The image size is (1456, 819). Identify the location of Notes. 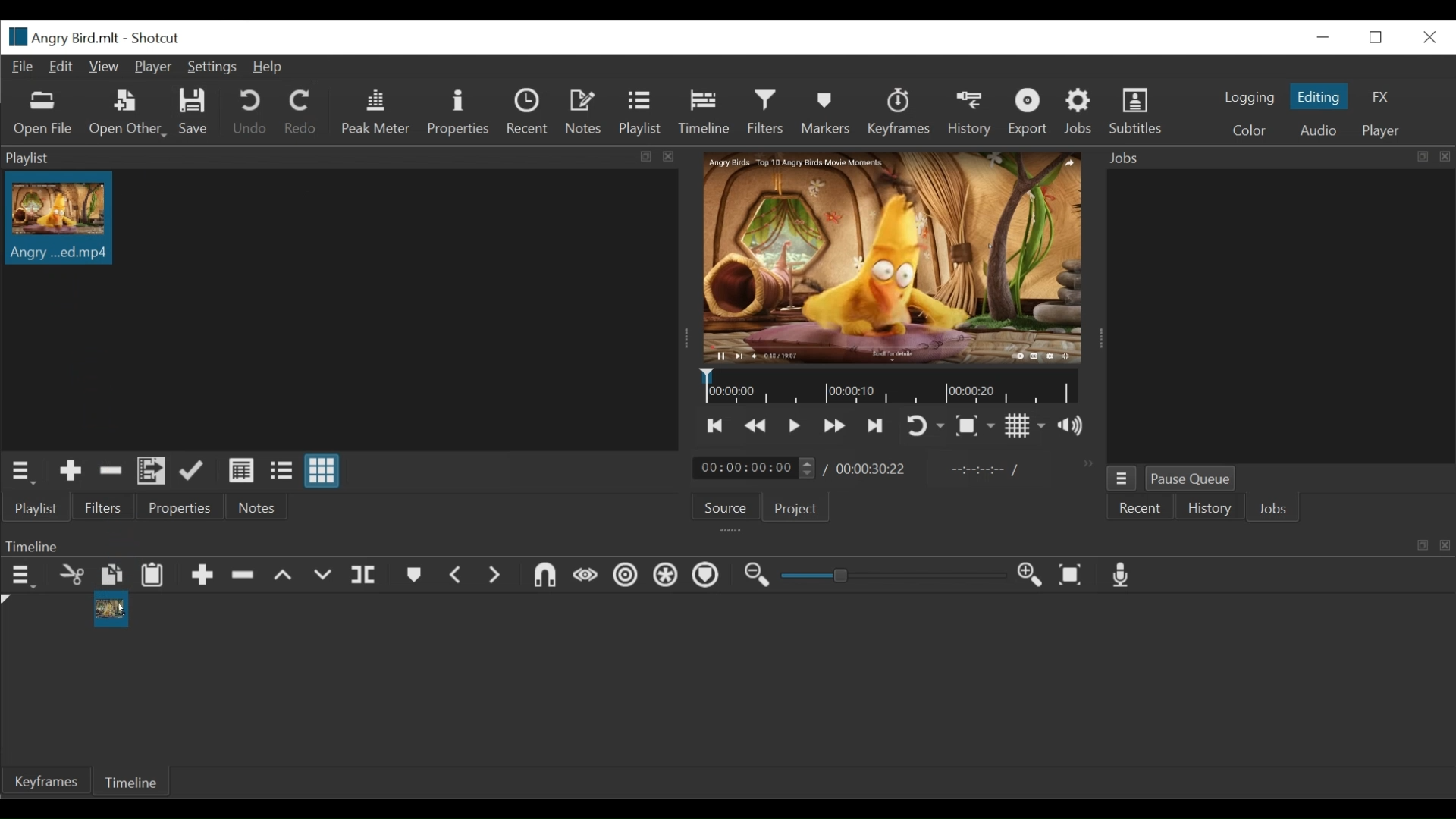
(585, 113).